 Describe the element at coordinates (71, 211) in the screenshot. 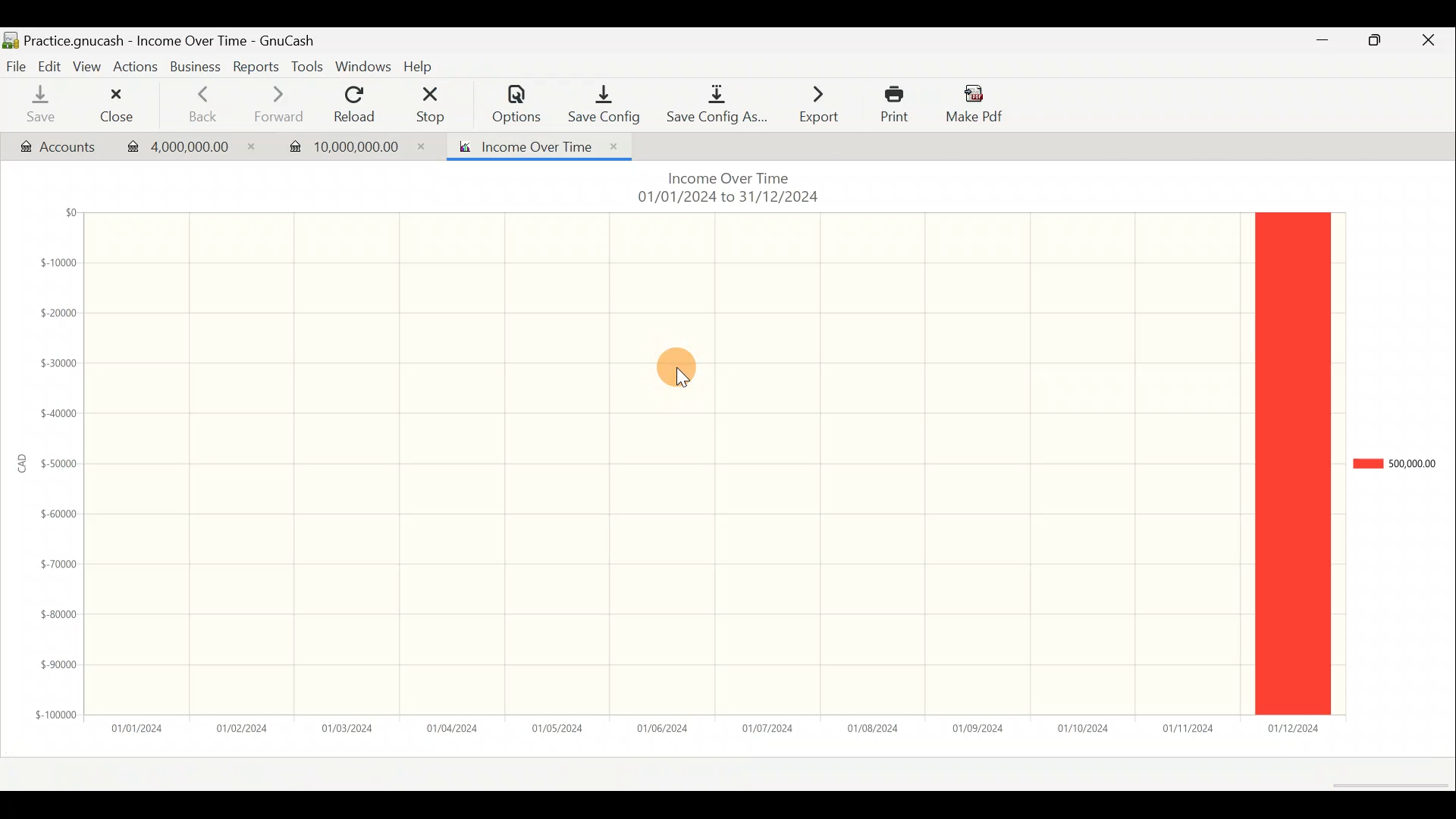

I see `$0` at that location.